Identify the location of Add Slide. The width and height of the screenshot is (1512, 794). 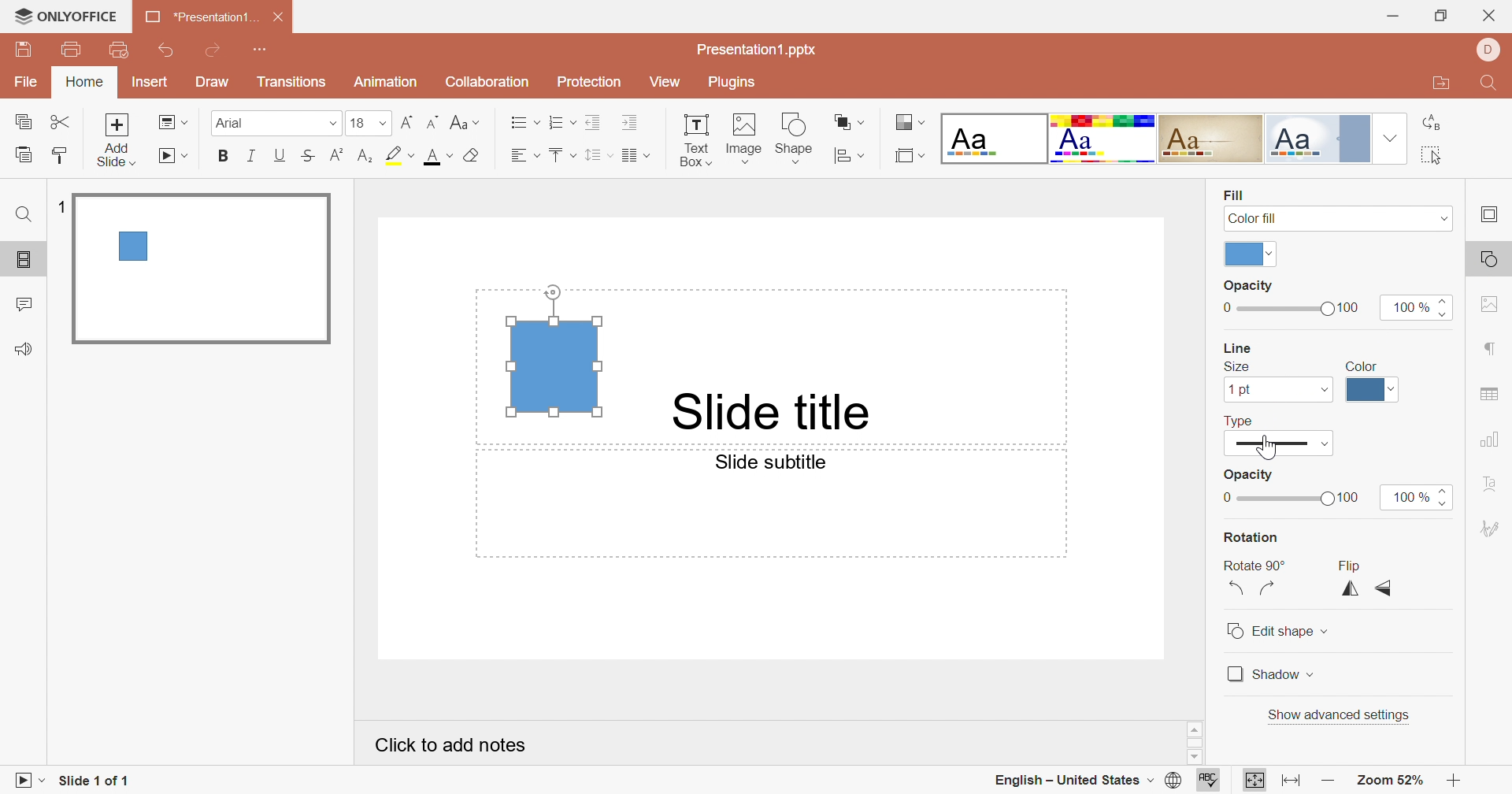
(120, 140).